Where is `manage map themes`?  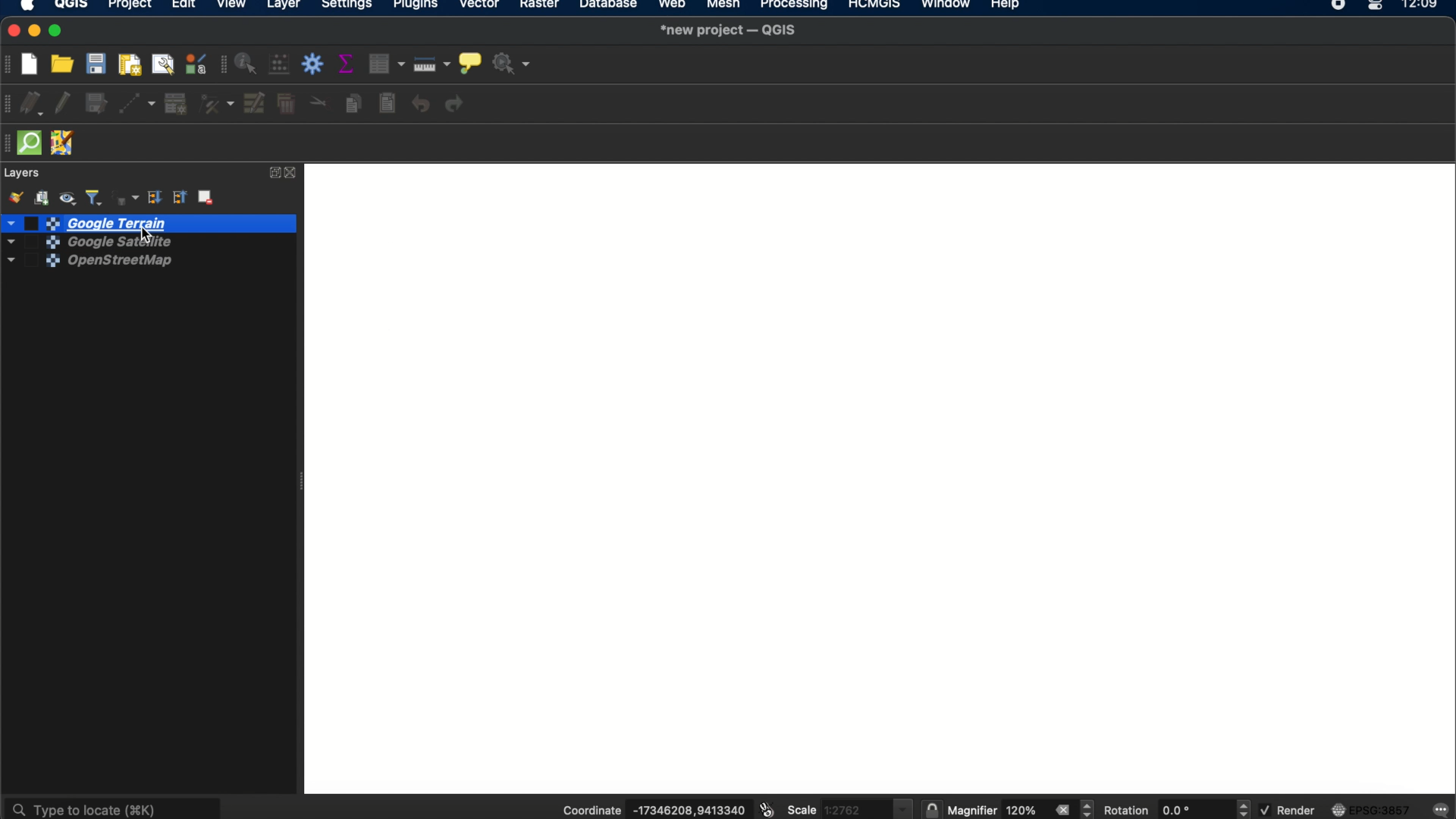 manage map themes is located at coordinates (70, 196).